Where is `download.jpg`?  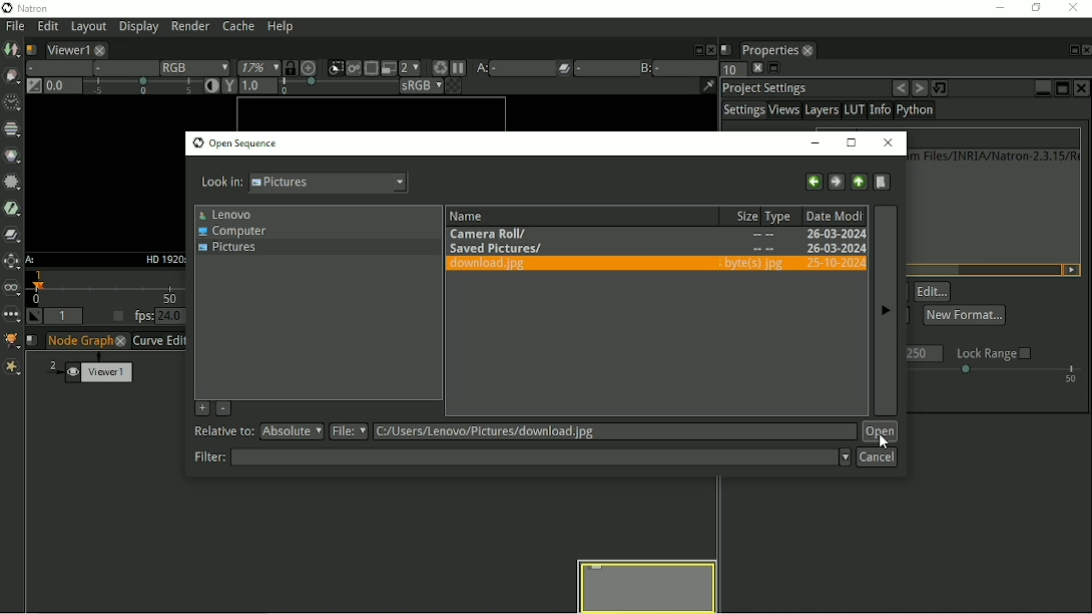 download.jpg is located at coordinates (495, 265).